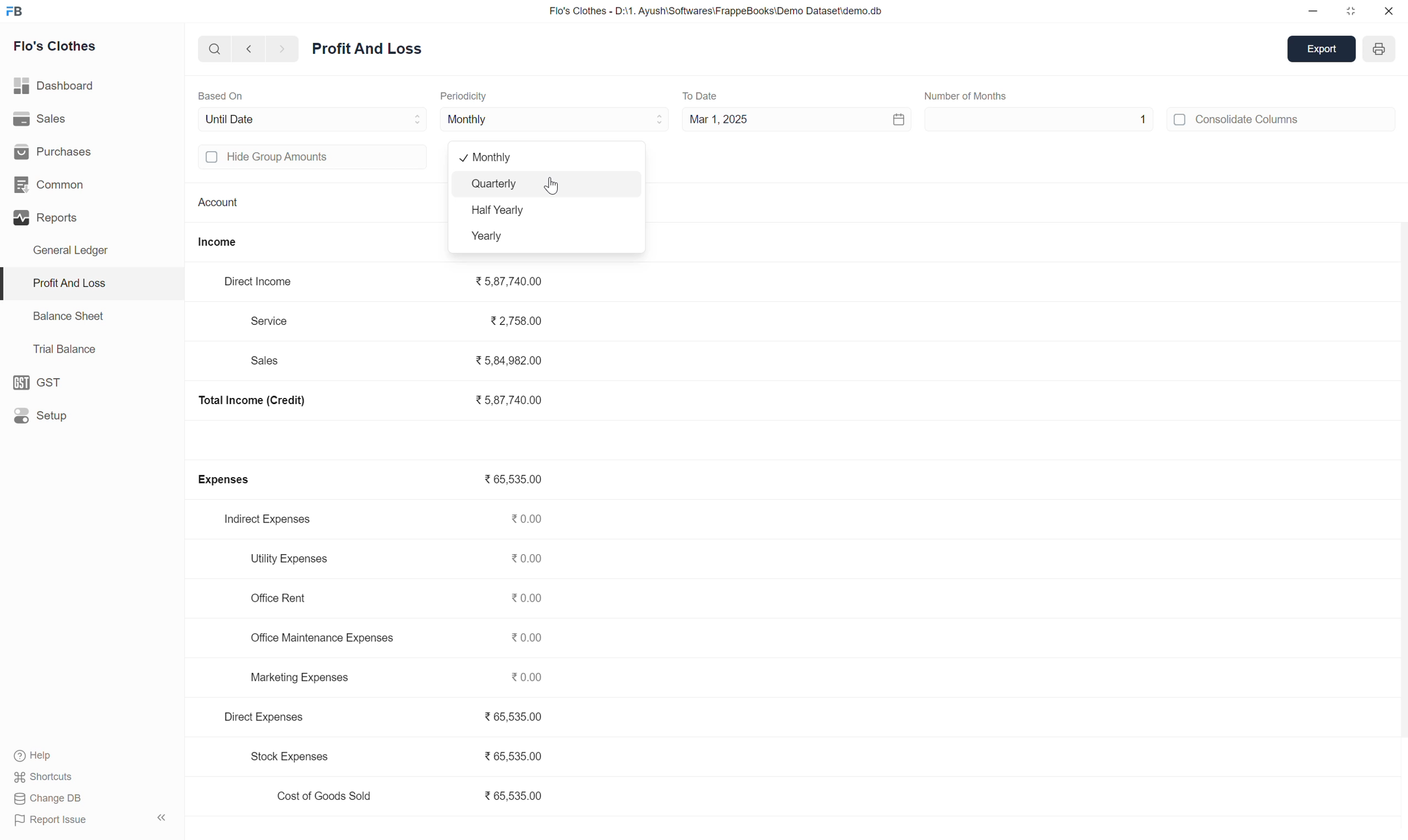  What do you see at coordinates (974, 93) in the screenshot?
I see `Number of Months` at bounding box center [974, 93].